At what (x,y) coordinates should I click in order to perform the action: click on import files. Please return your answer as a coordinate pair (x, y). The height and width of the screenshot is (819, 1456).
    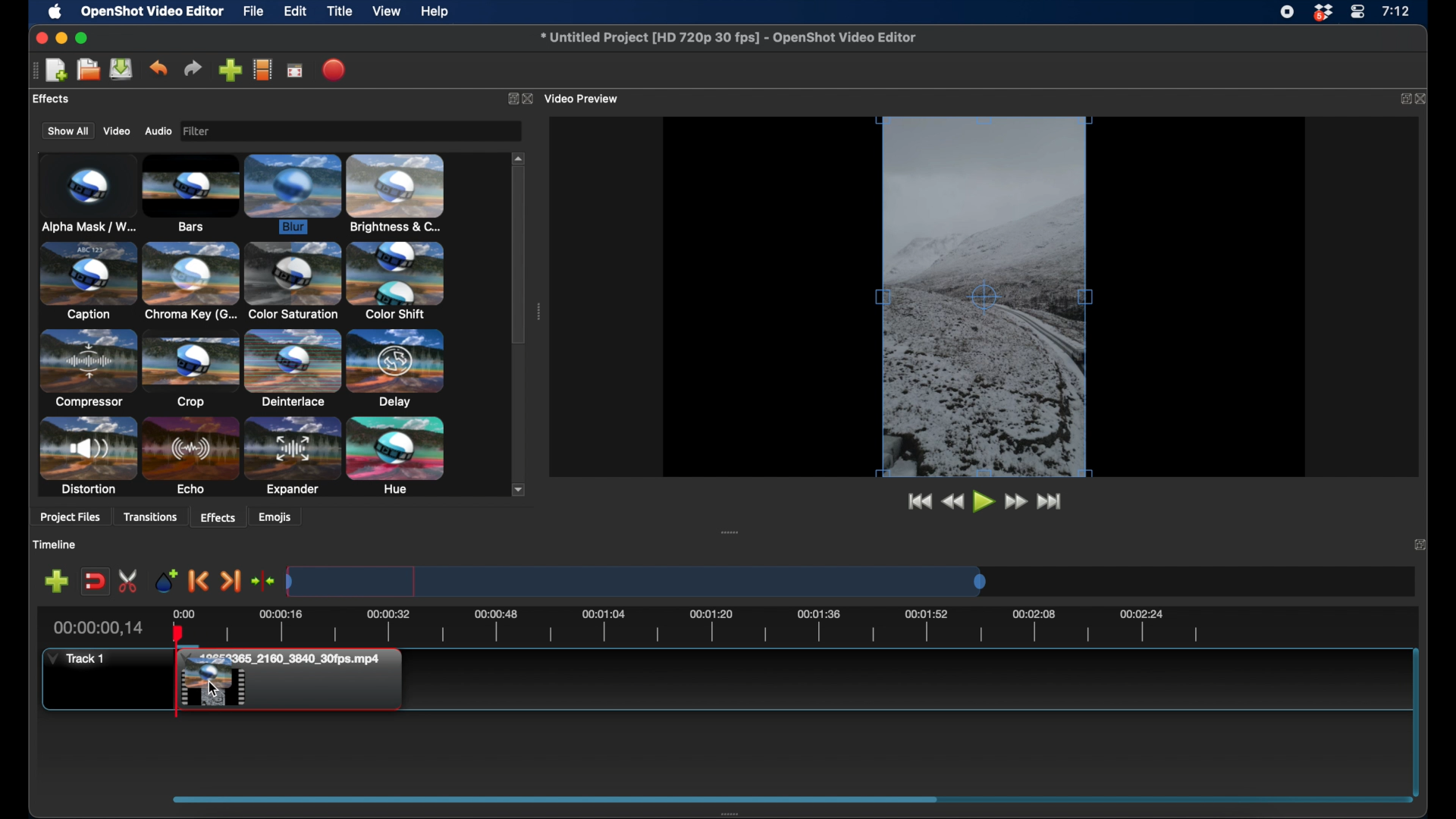
    Looking at the image, I should click on (231, 70).